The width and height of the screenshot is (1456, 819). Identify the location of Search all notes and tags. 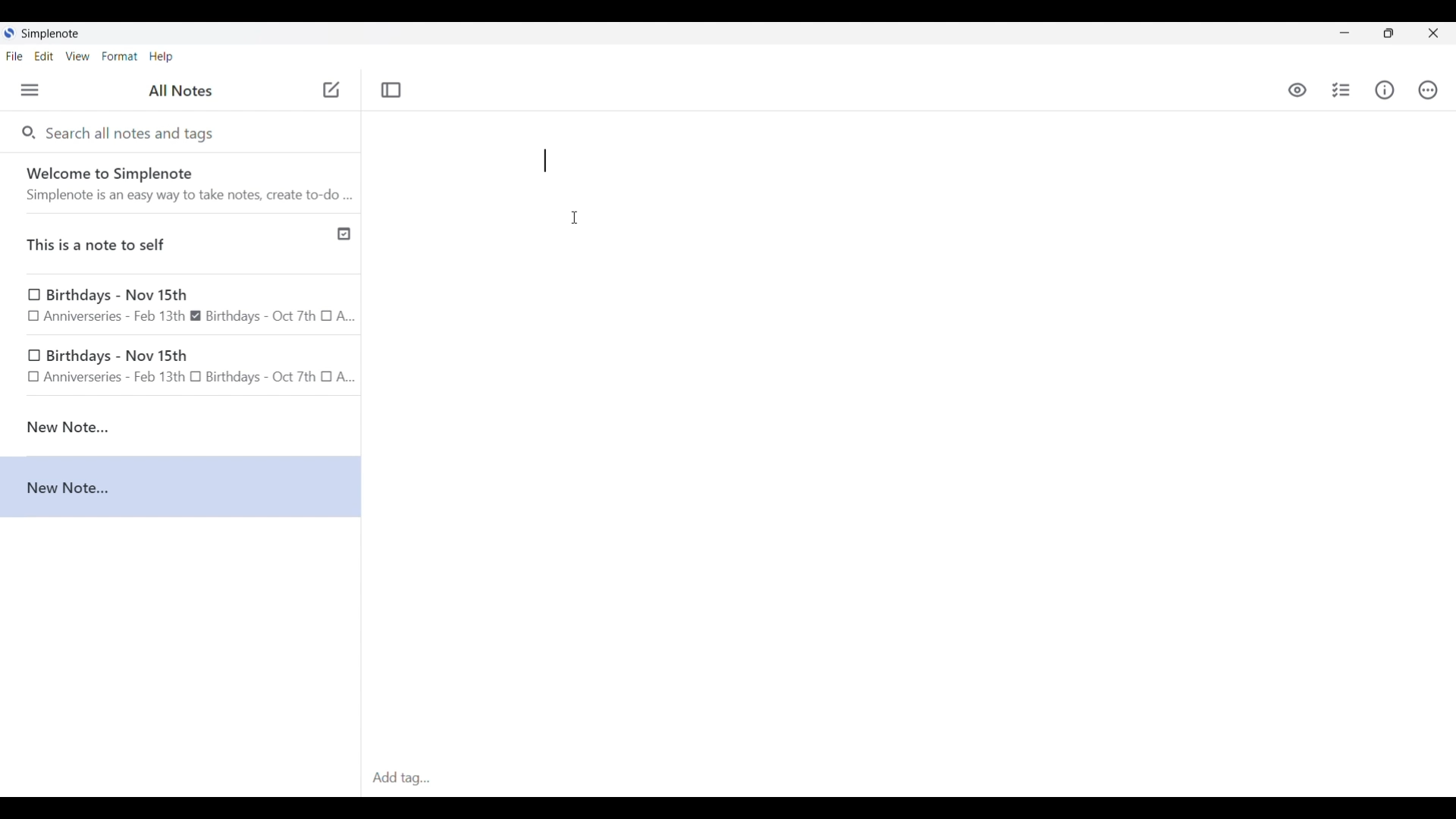
(133, 132).